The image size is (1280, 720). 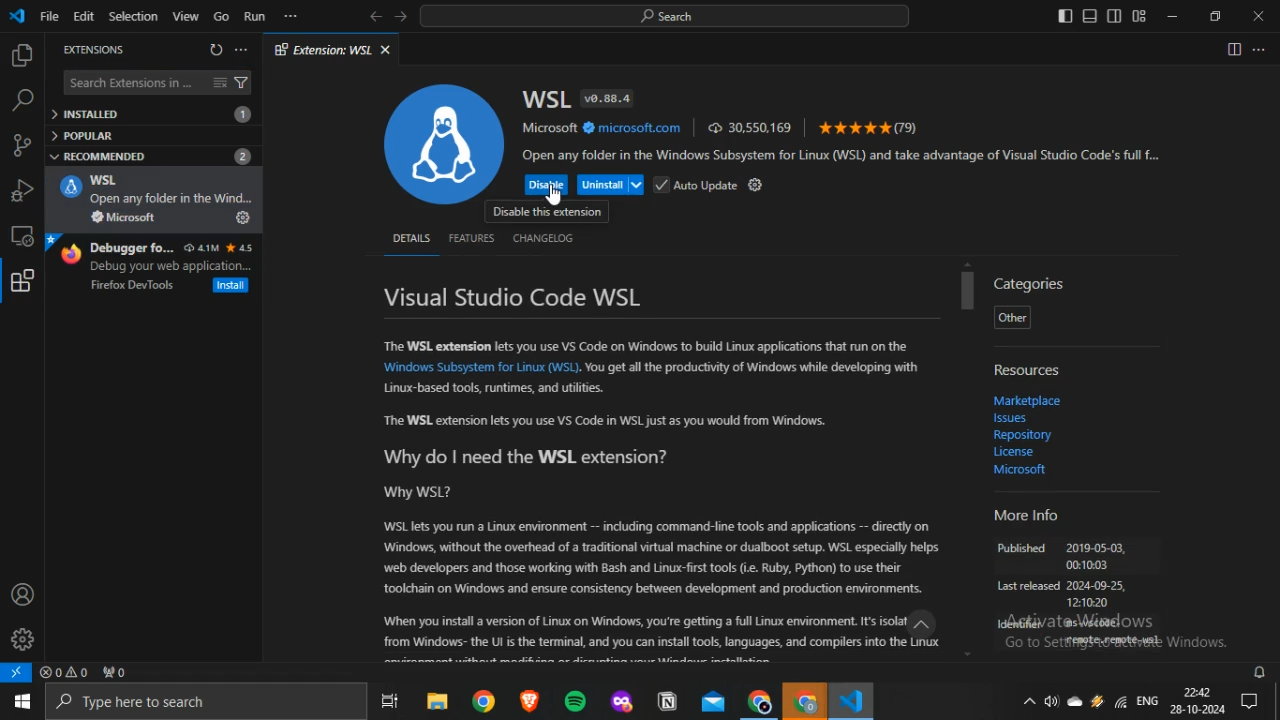 What do you see at coordinates (1013, 419) in the screenshot?
I see `Issues` at bounding box center [1013, 419].